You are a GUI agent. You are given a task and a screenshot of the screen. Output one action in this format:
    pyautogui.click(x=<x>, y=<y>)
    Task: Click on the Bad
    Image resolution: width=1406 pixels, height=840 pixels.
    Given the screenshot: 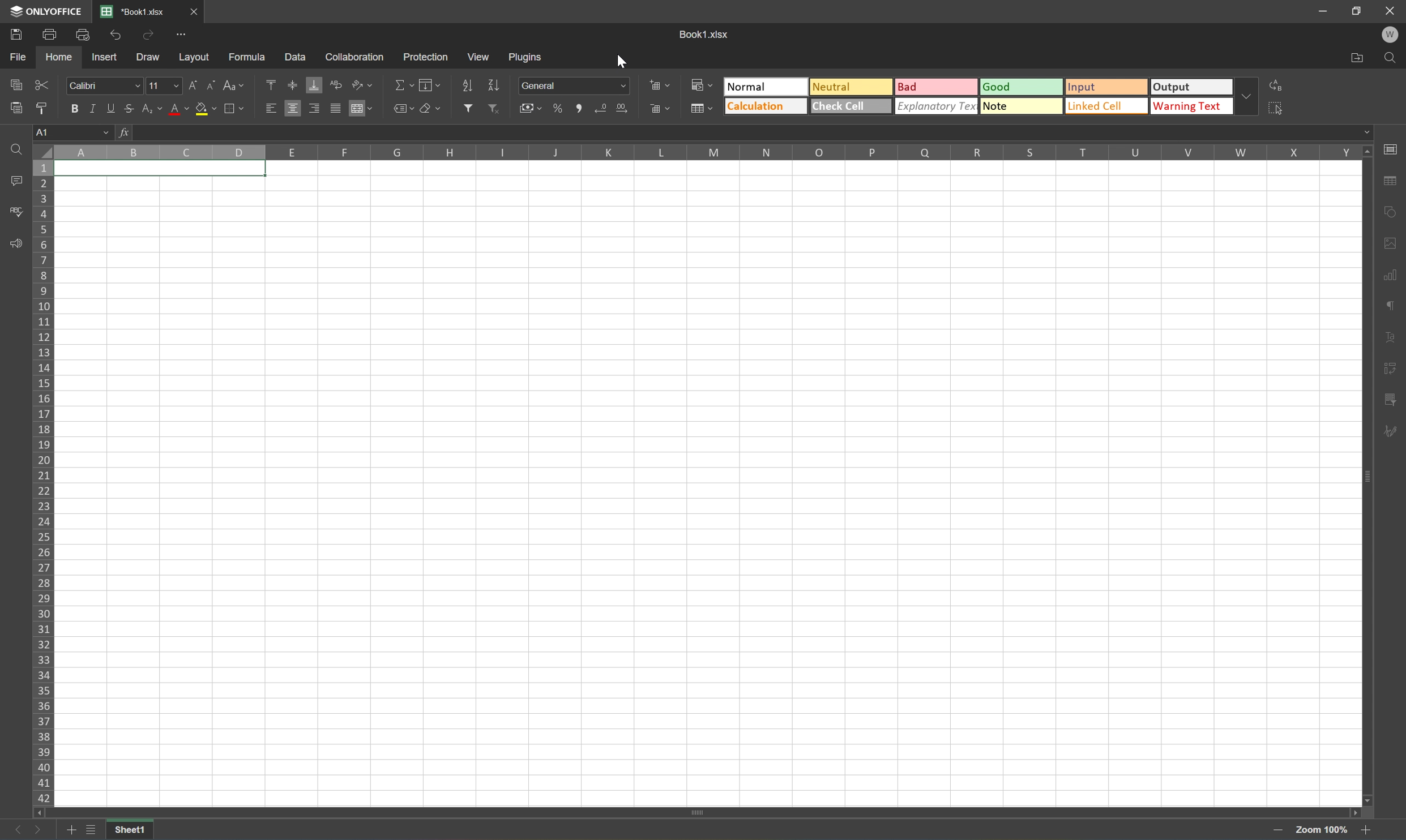 What is the action you would take?
    pyautogui.click(x=937, y=88)
    